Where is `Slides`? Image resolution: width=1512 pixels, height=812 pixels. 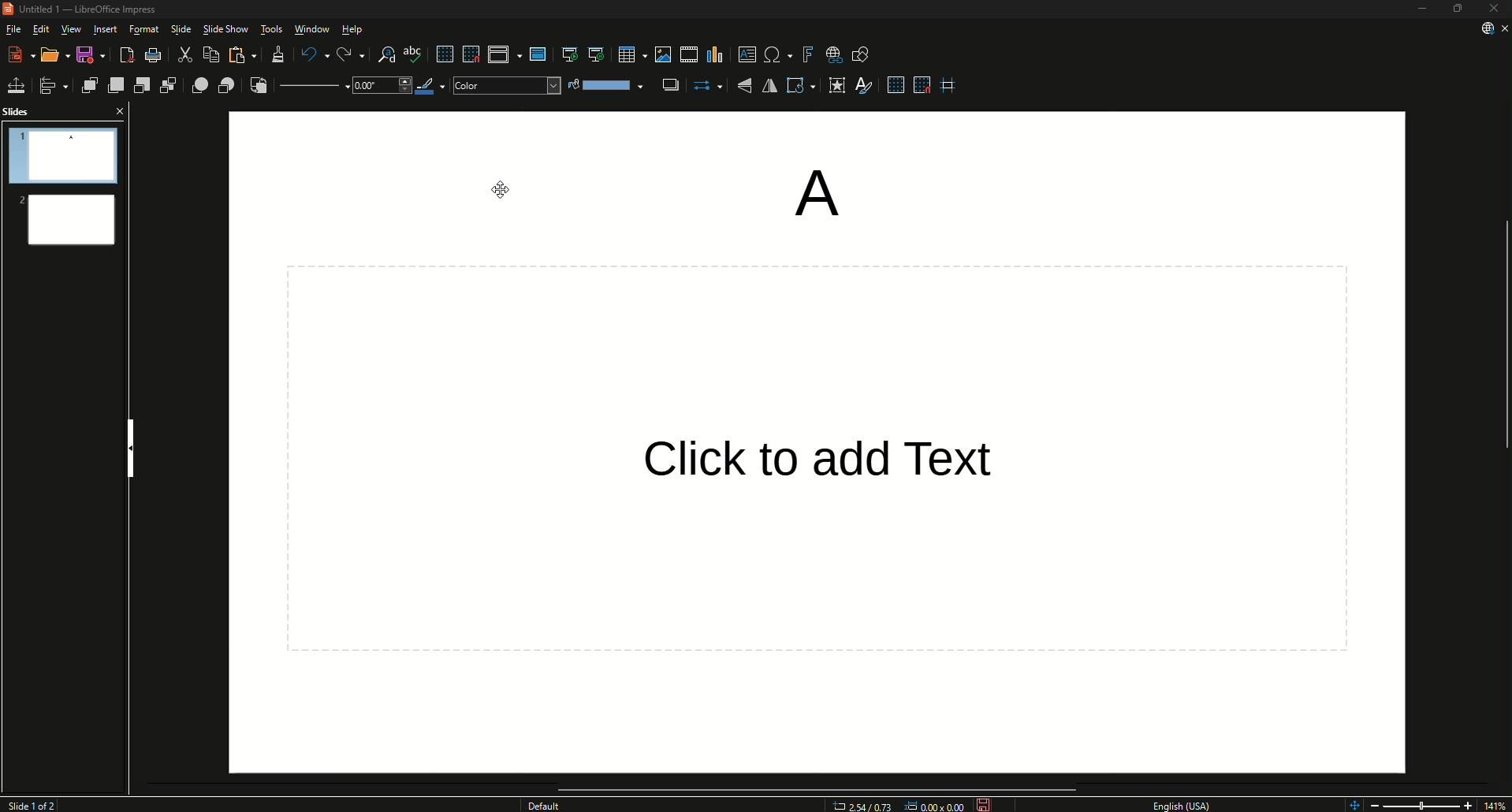 Slides is located at coordinates (24, 111).